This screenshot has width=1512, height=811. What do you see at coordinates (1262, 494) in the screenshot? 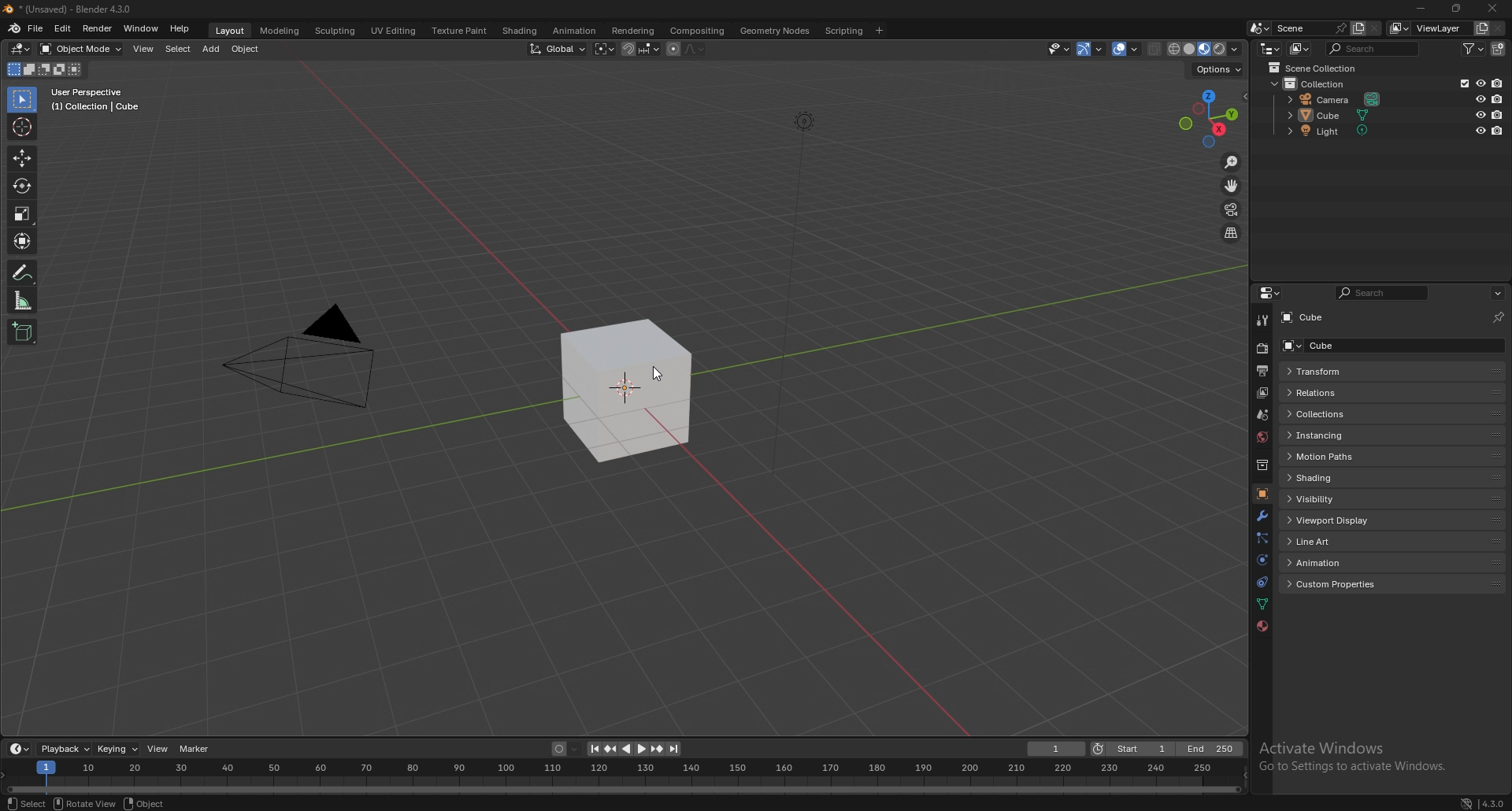
I see `object` at bounding box center [1262, 494].